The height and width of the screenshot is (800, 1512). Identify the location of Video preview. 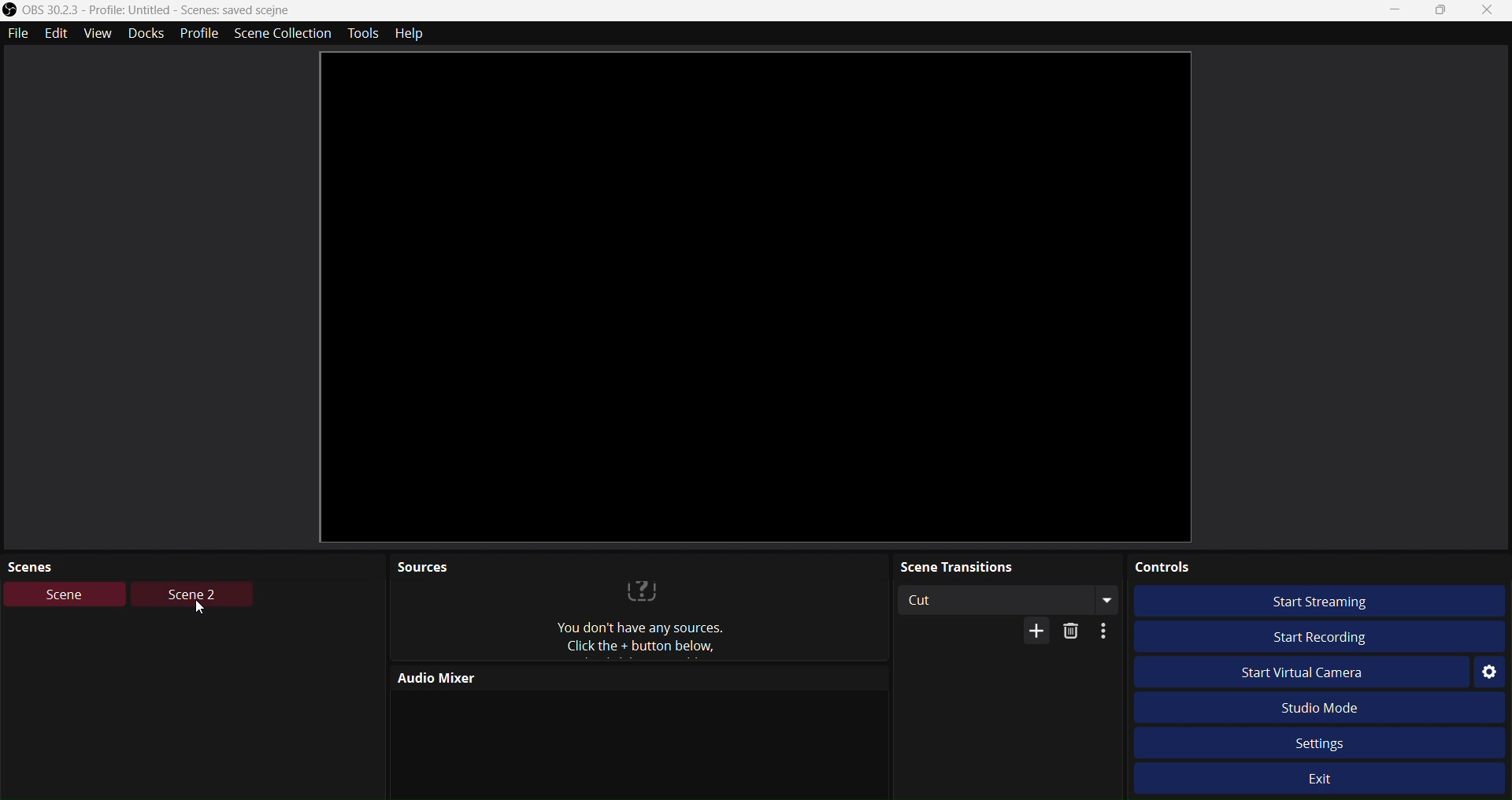
(757, 296).